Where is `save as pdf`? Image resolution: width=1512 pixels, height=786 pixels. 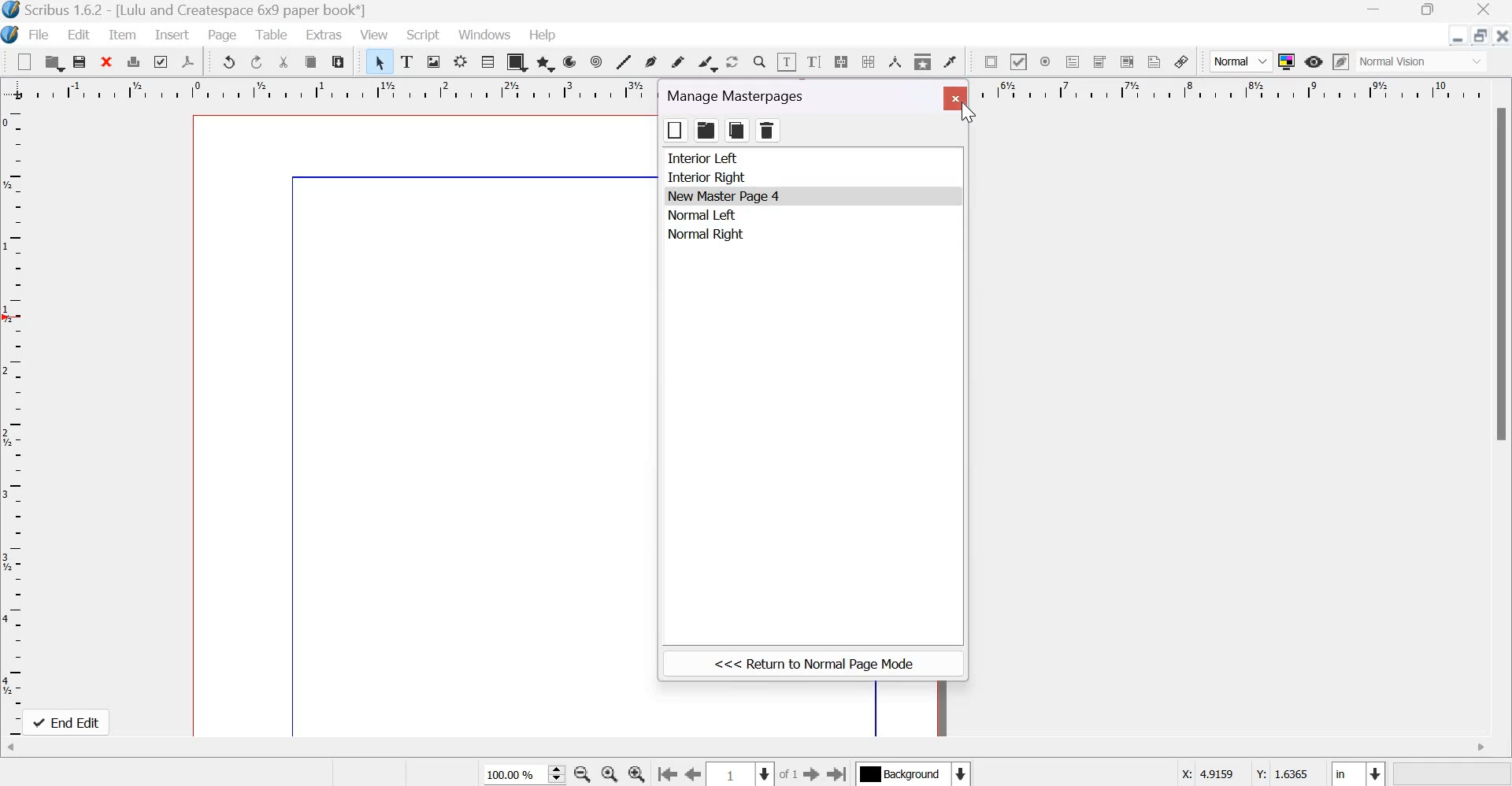
save as pdf is located at coordinates (190, 62).